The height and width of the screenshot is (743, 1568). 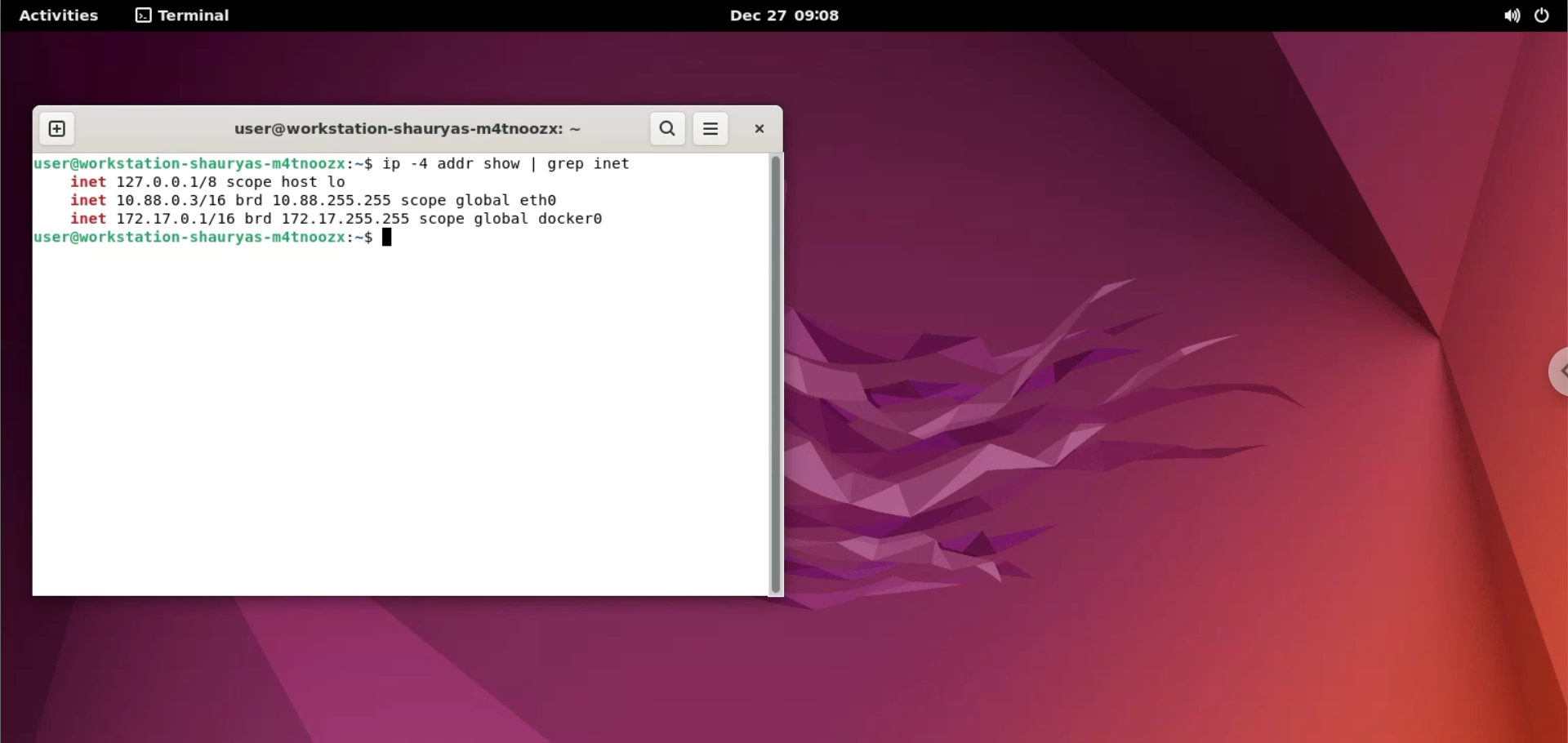 I want to click on user@workstation-shauryas-m4tnoozx:~, so click(x=401, y=128).